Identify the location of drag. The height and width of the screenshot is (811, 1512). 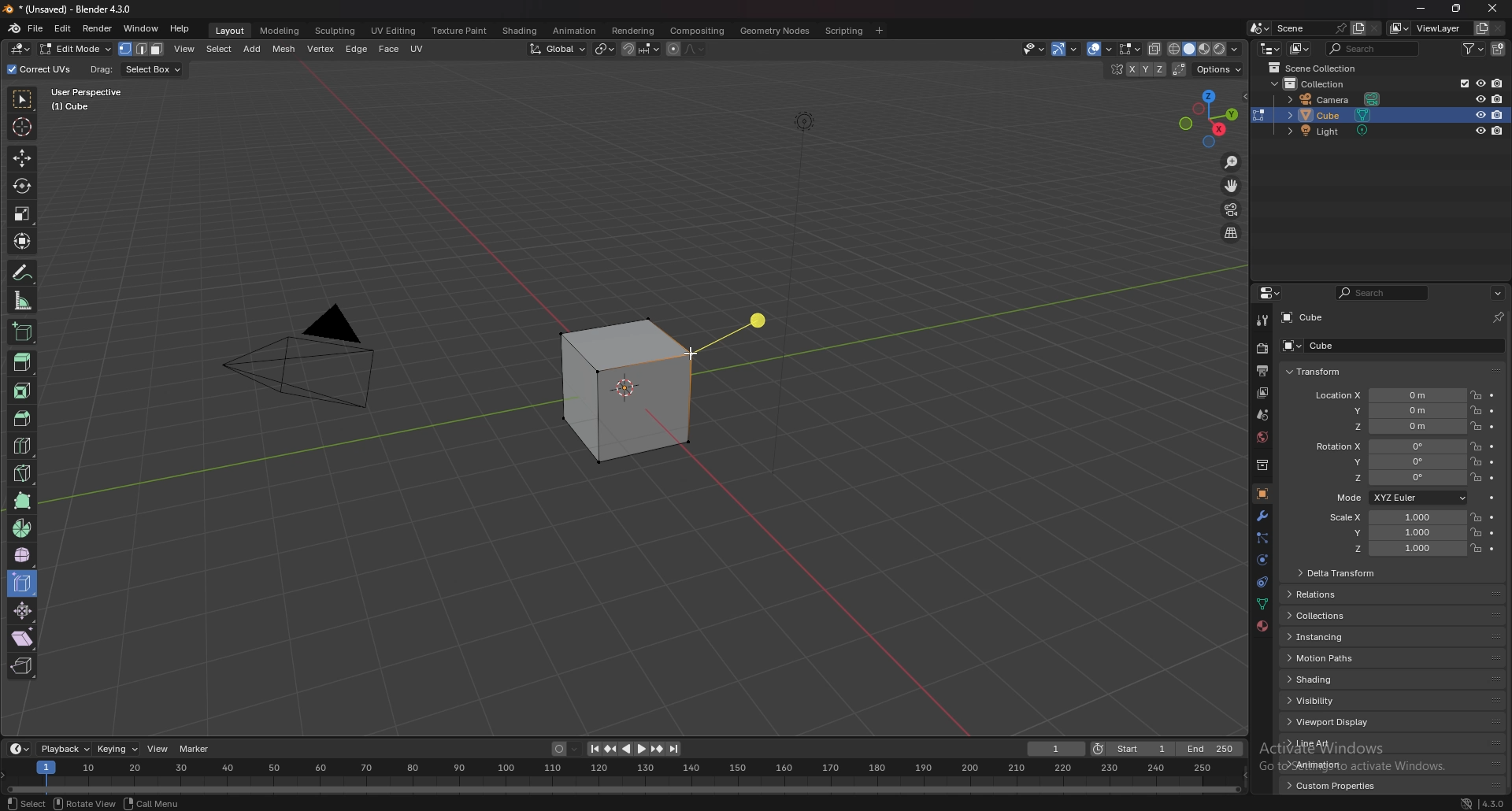
(101, 69).